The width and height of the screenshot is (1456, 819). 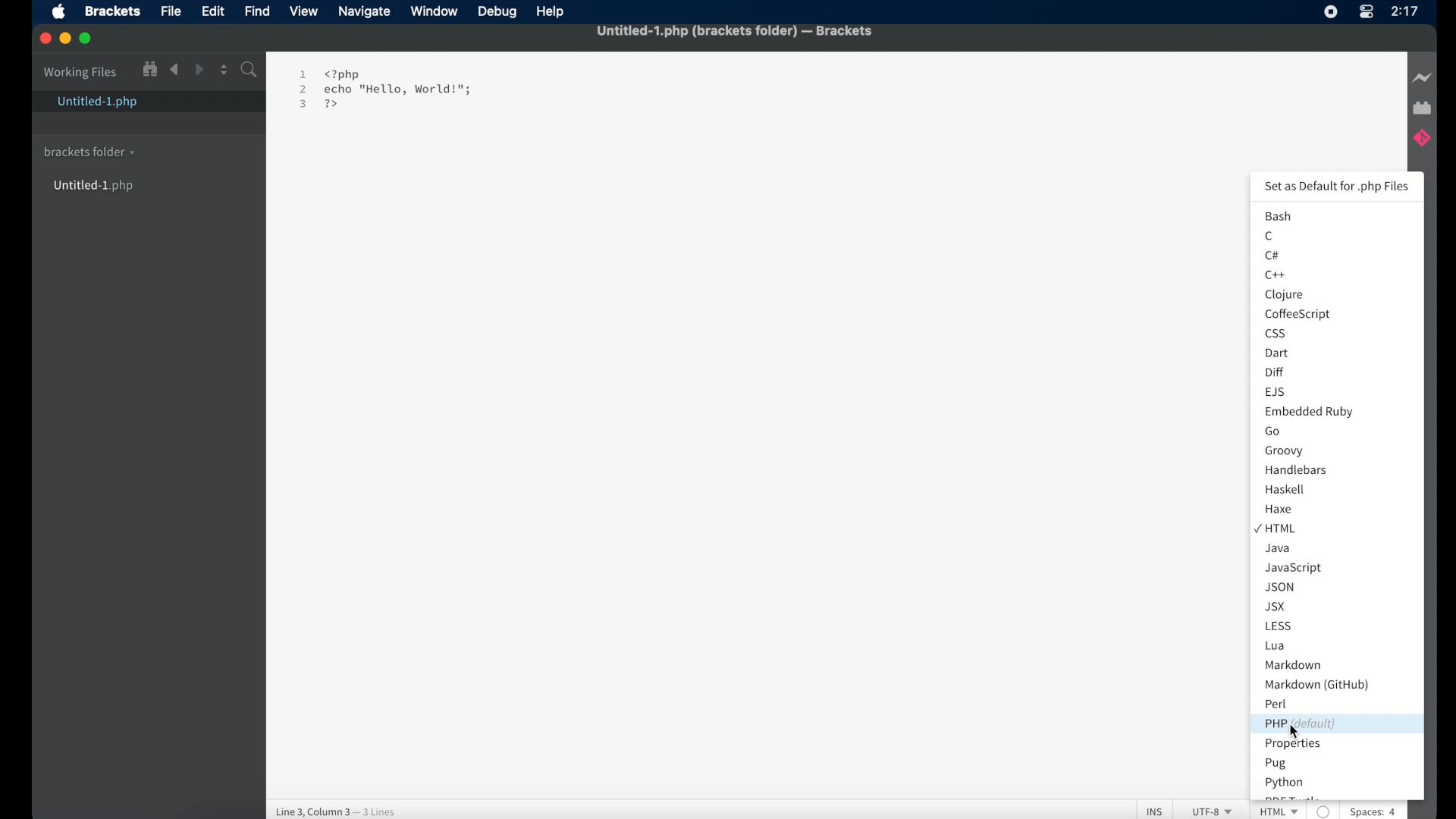 I want to click on json, so click(x=1280, y=587).